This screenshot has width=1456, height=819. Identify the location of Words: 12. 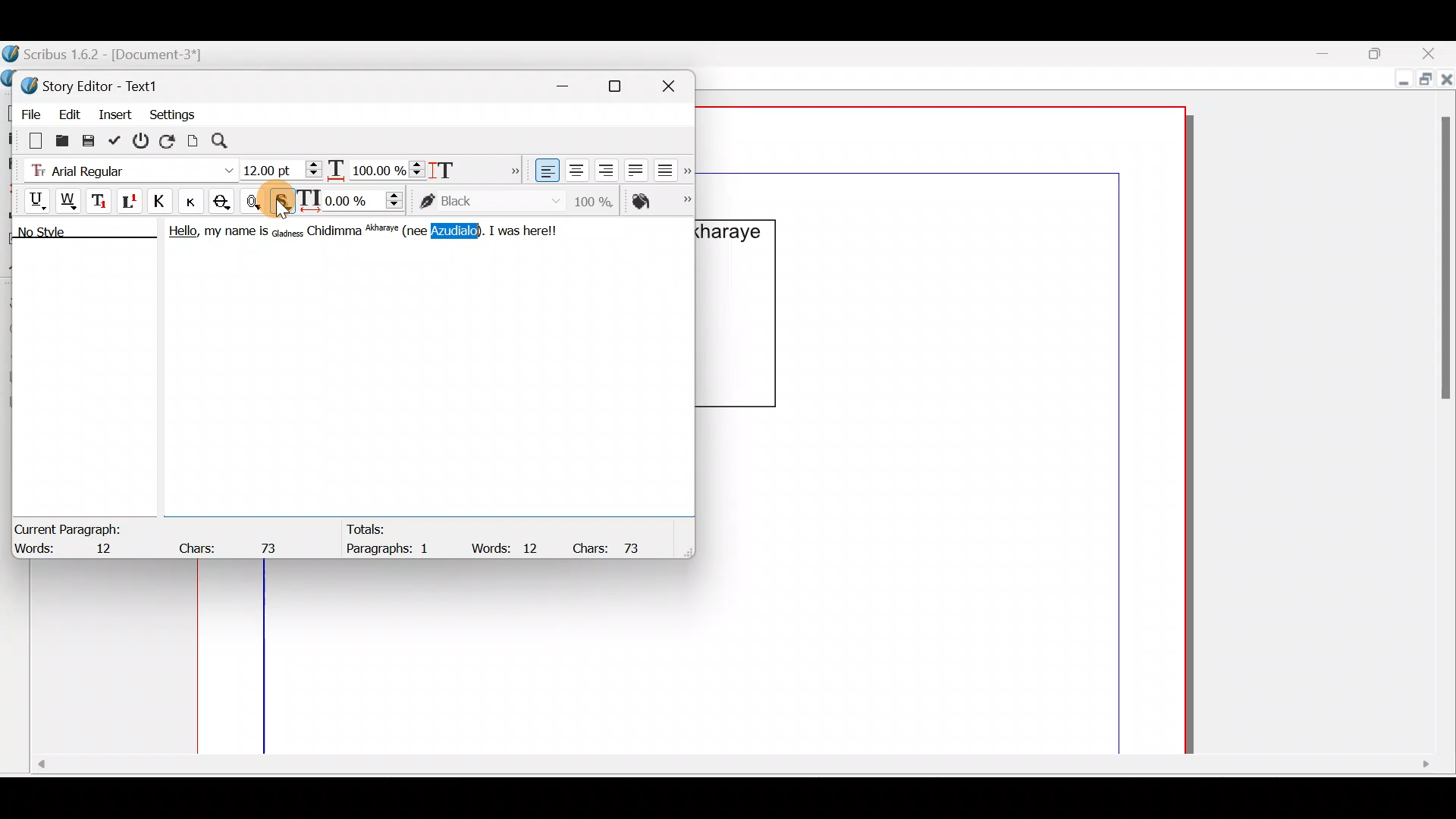
(508, 548).